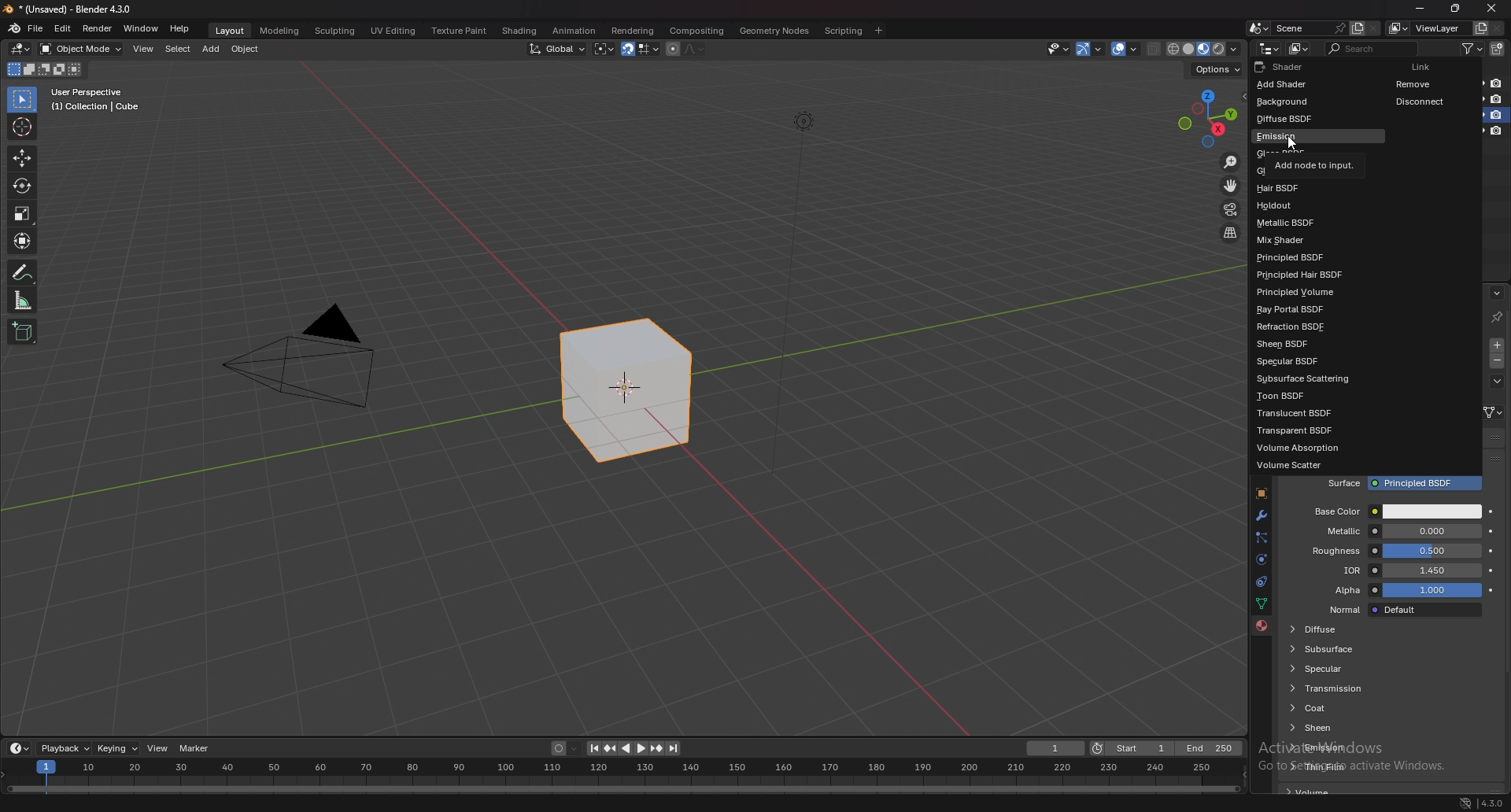 This screenshot has width=1511, height=812. I want to click on add scene, so click(1355, 28).